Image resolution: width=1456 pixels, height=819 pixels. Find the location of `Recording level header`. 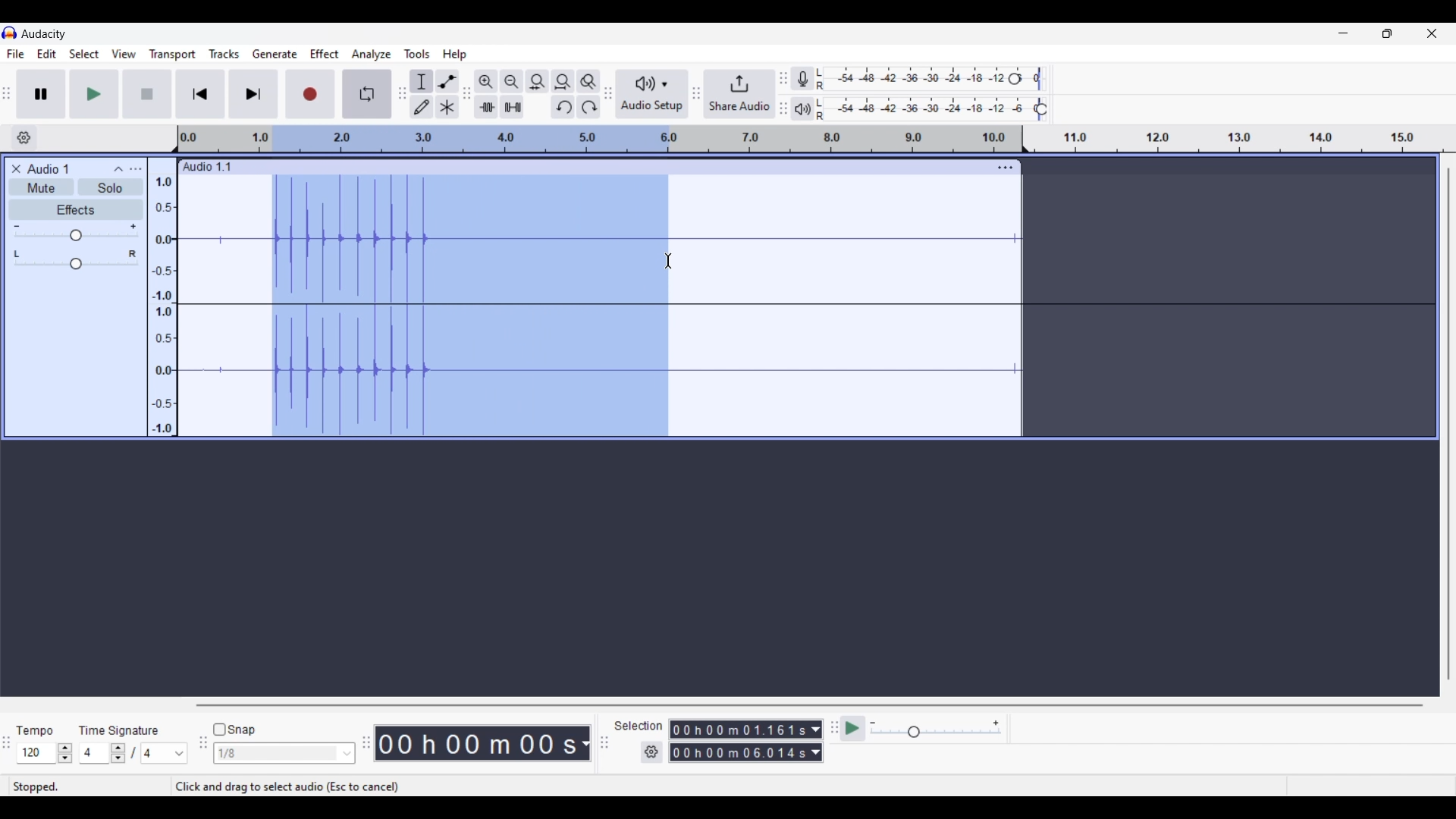

Recording level header is located at coordinates (1015, 79).